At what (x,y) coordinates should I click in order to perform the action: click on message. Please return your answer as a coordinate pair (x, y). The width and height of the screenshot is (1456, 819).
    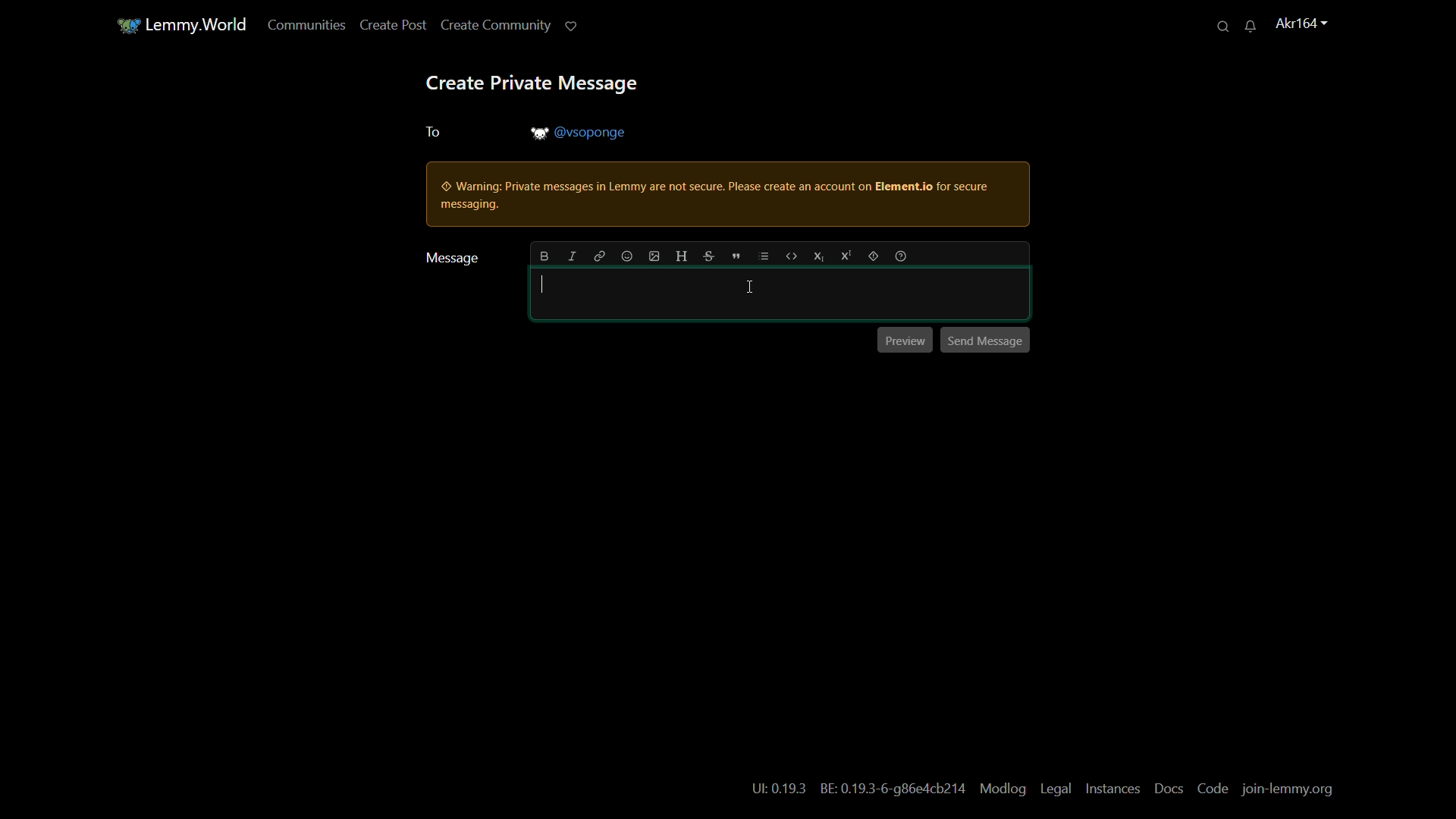
    Looking at the image, I should click on (450, 257).